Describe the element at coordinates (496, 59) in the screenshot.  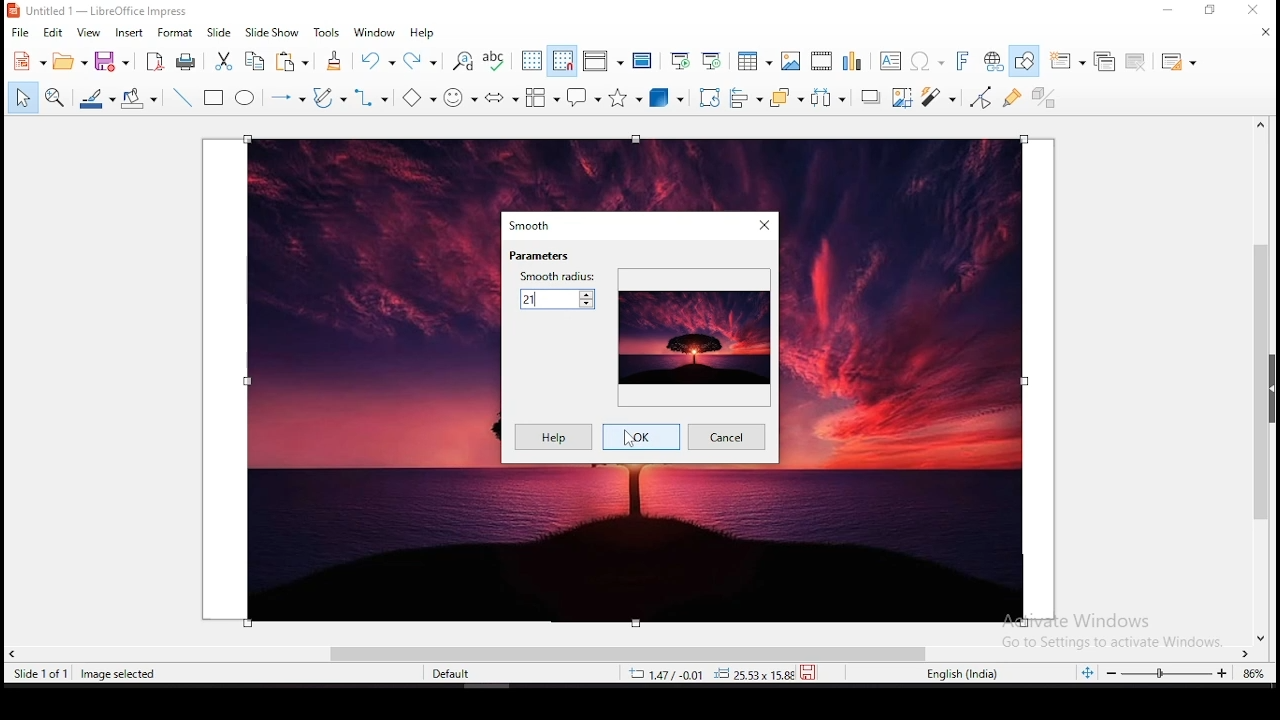
I see `spell check` at that location.